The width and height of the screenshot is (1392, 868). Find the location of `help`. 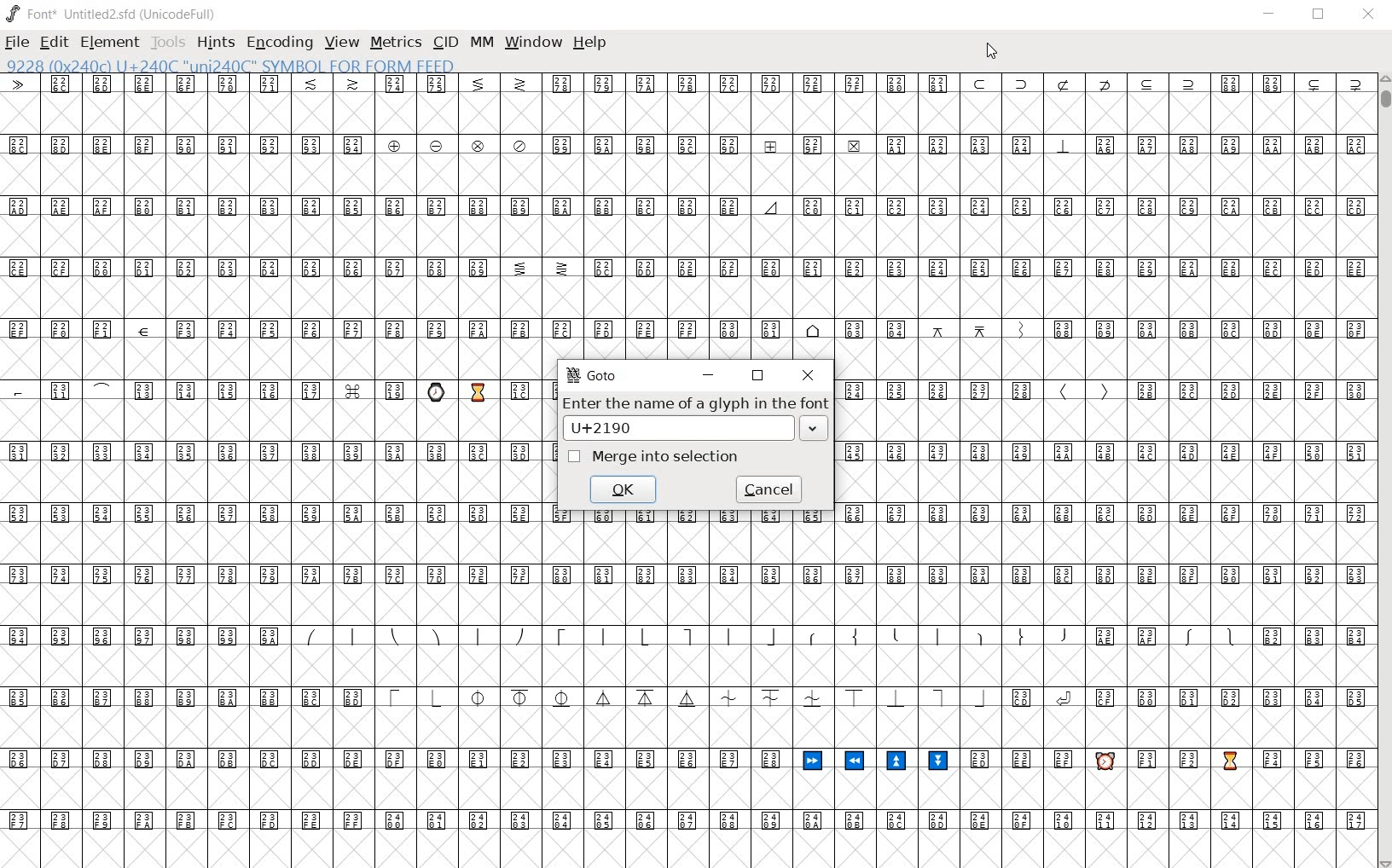

help is located at coordinates (590, 43).